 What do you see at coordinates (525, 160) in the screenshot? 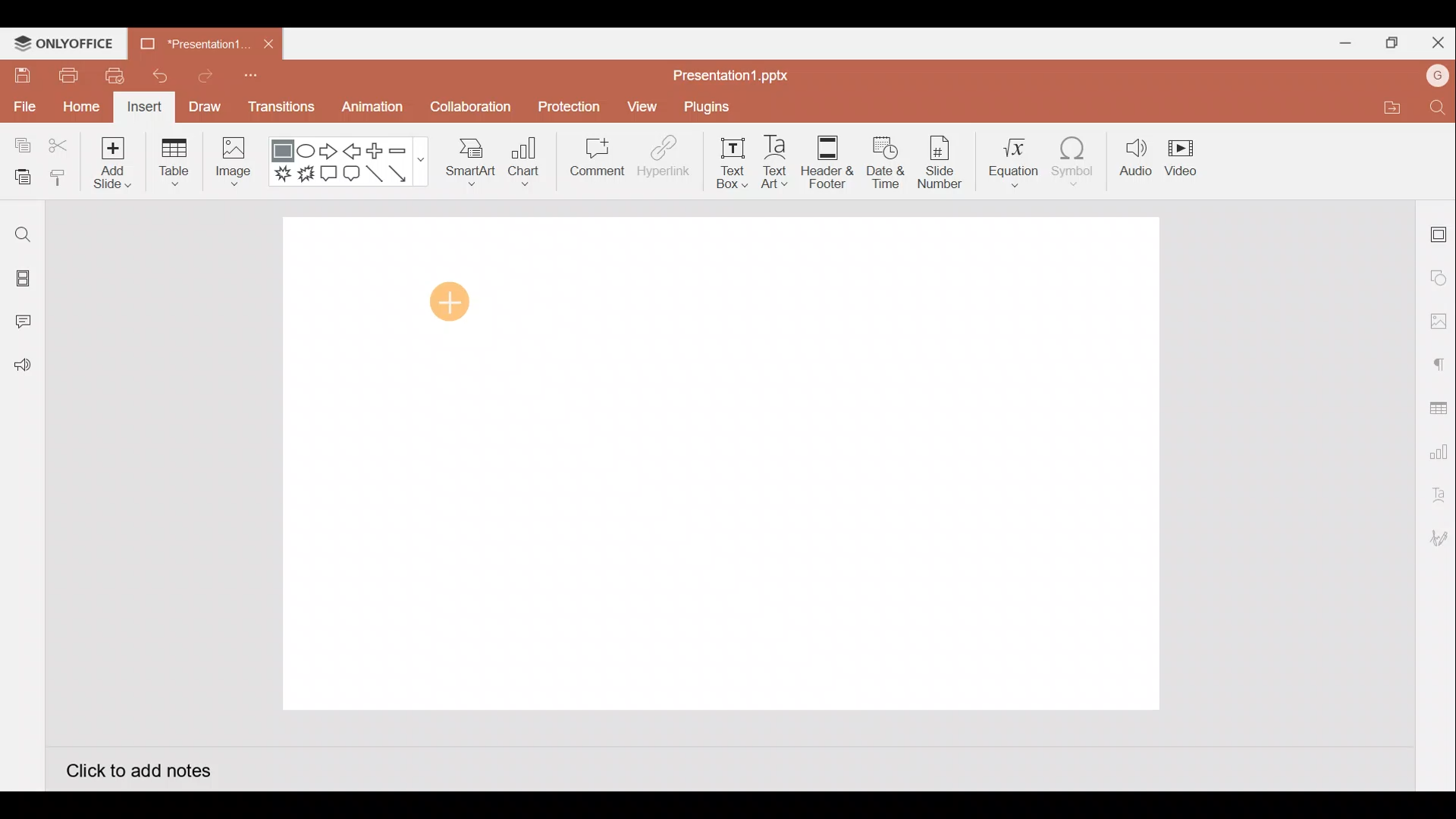
I see `Chart` at bounding box center [525, 160].